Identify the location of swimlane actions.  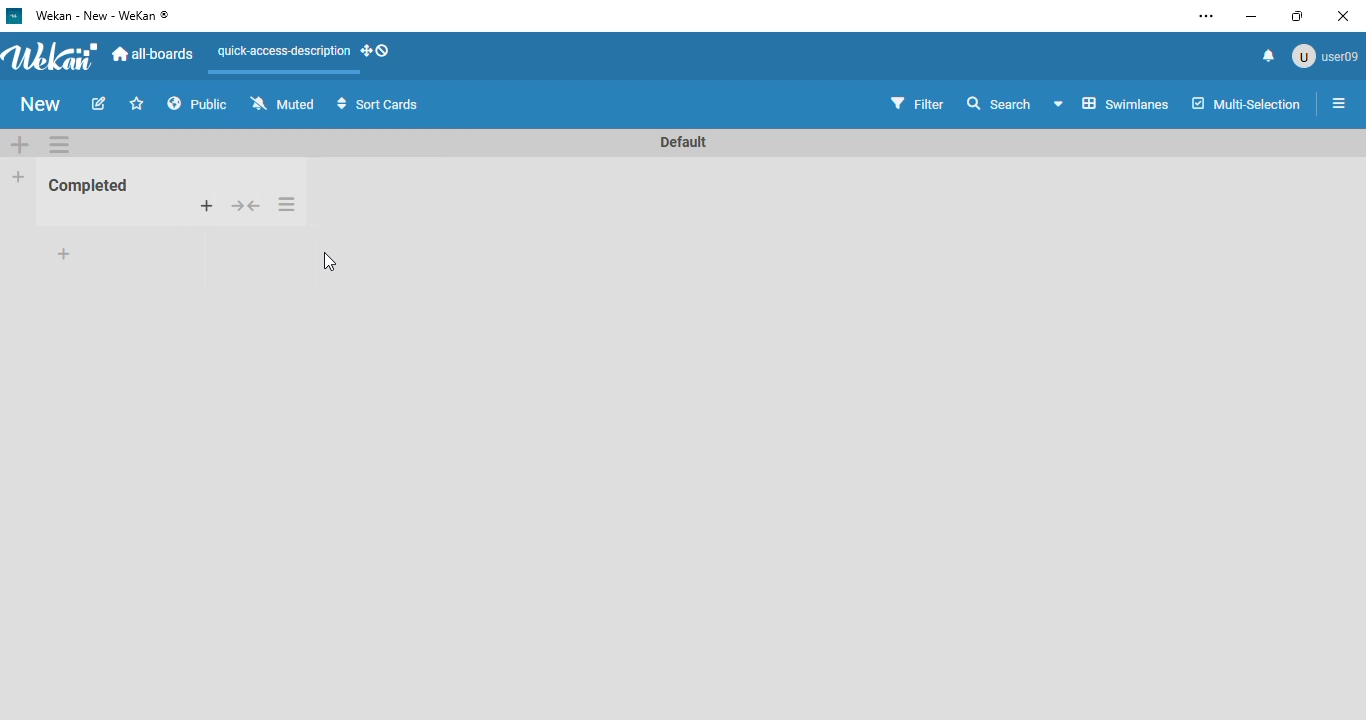
(60, 144).